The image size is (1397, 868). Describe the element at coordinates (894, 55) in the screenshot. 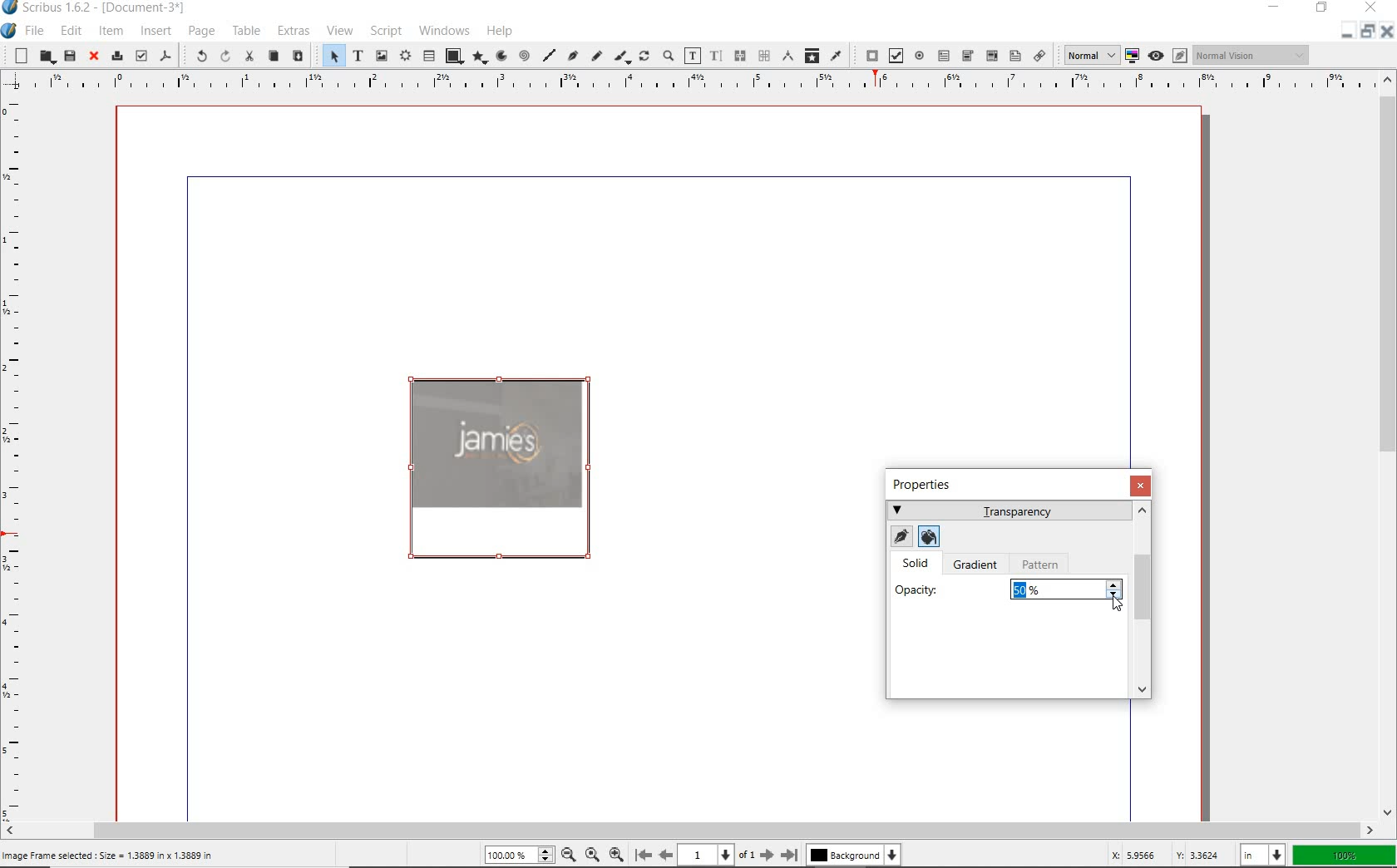

I see `pdf check box` at that location.